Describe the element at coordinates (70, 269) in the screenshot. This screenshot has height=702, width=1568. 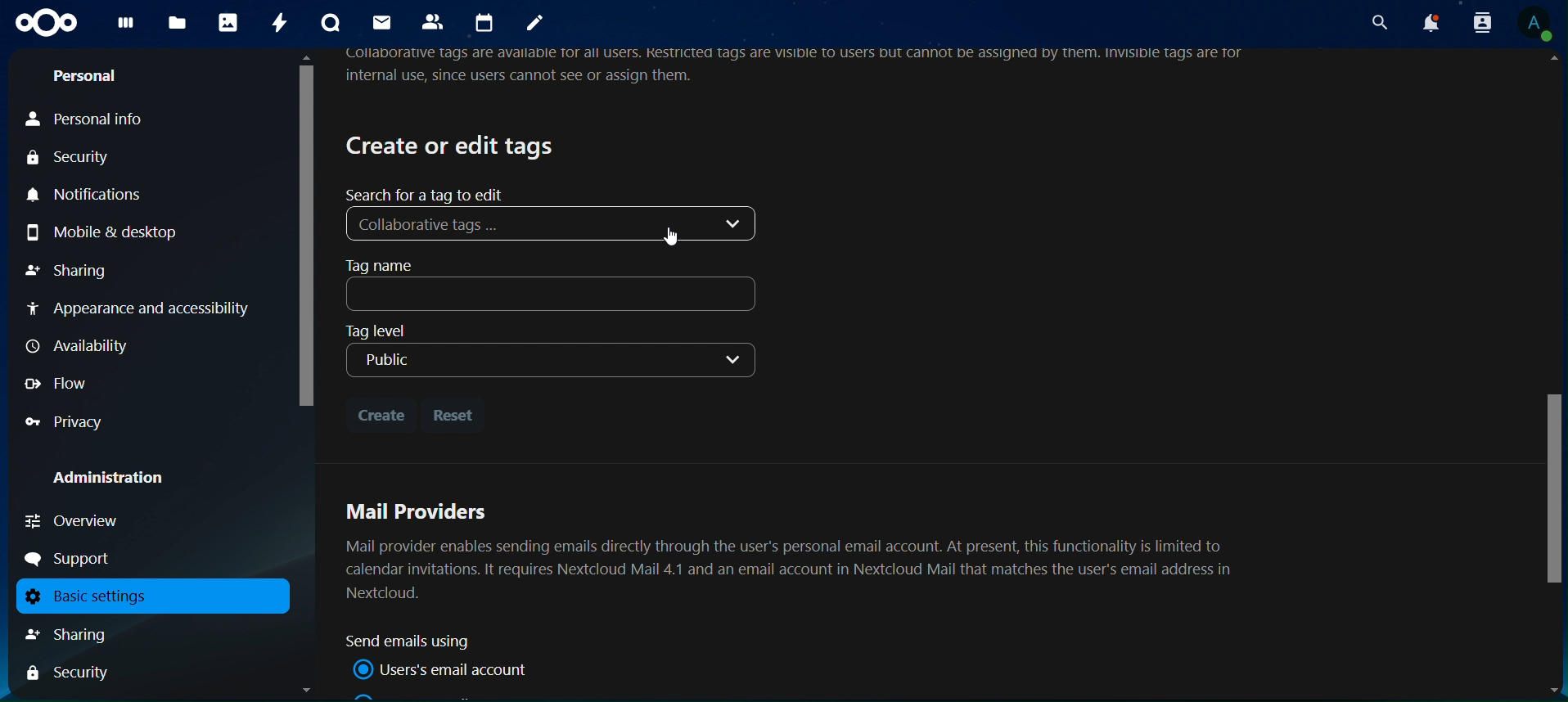
I see `sharing` at that location.